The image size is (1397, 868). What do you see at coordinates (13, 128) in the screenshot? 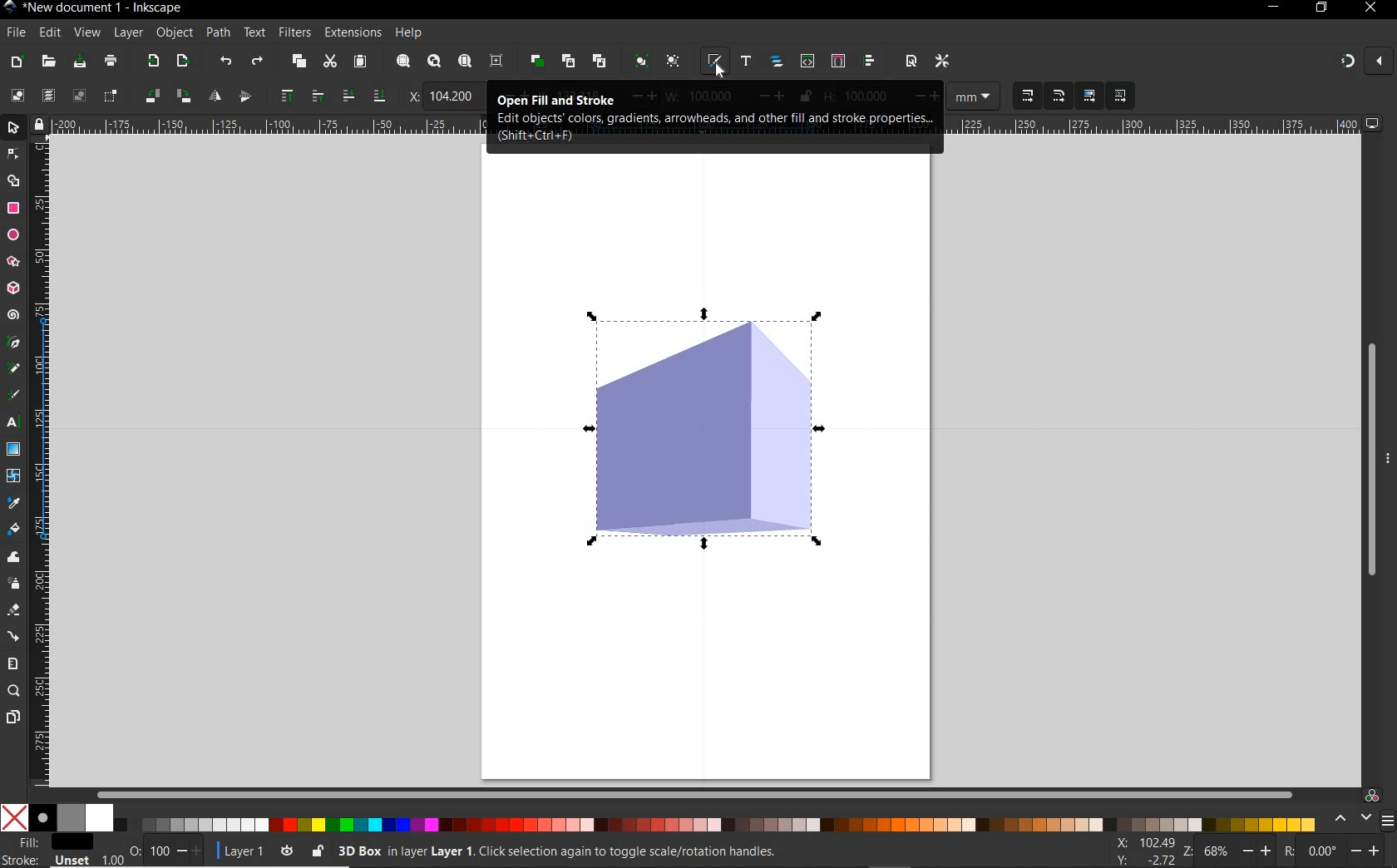
I see `SELECTOR TOOL` at bounding box center [13, 128].